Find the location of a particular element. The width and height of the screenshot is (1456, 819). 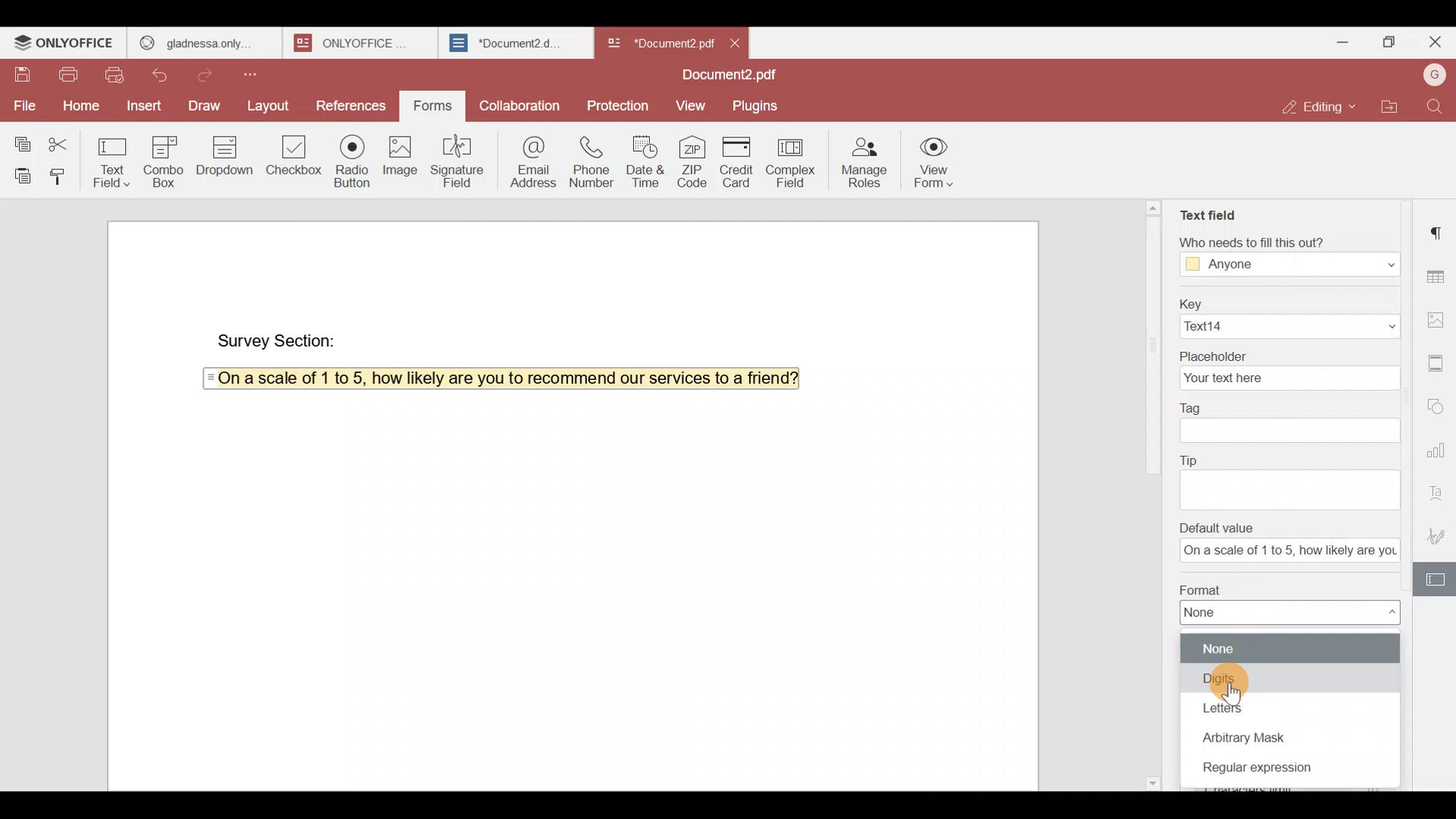

Table settings is located at coordinates (1439, 275).